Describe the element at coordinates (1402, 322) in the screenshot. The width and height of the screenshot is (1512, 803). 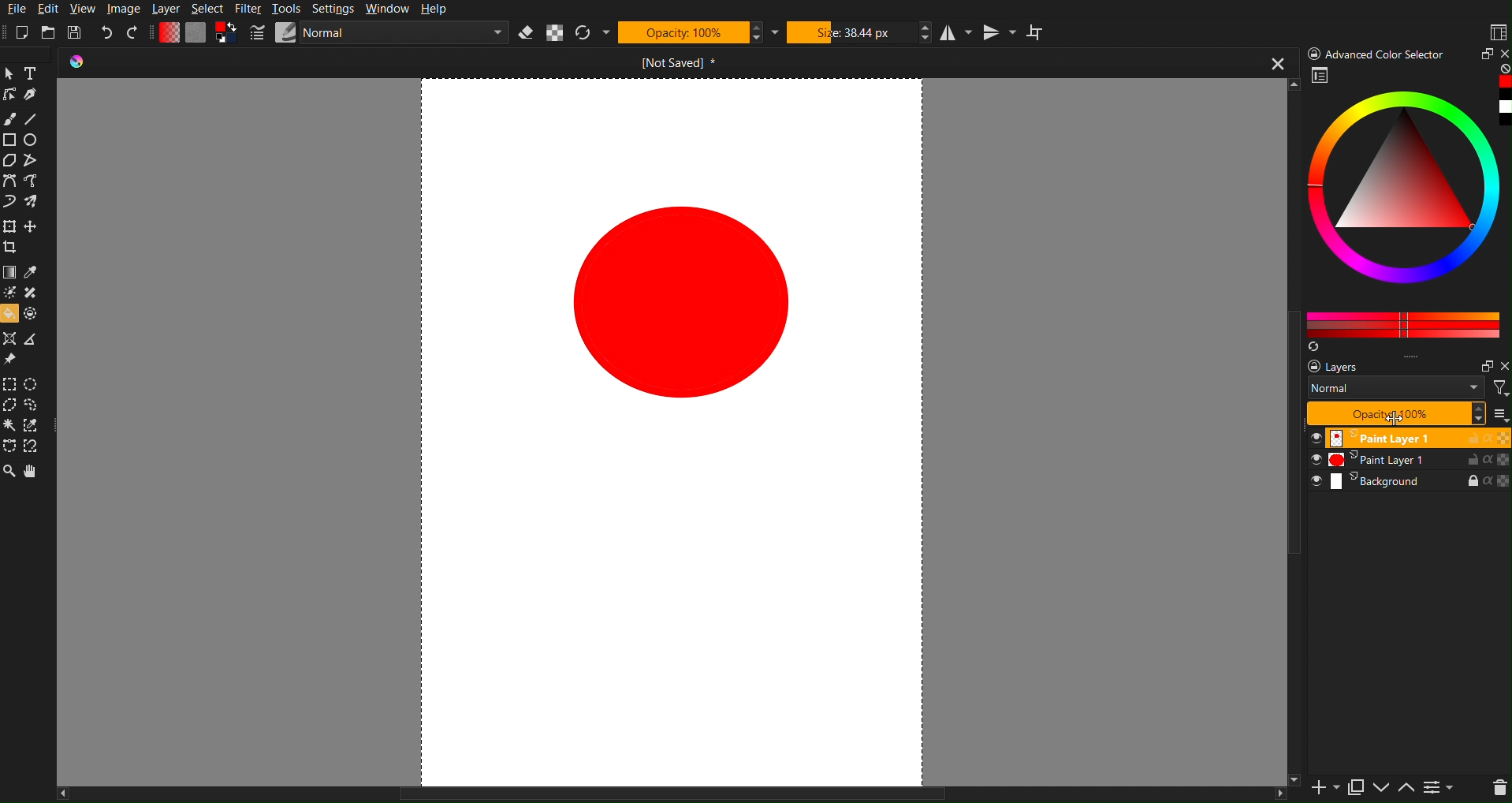
I see `Color Pallet` at that location.